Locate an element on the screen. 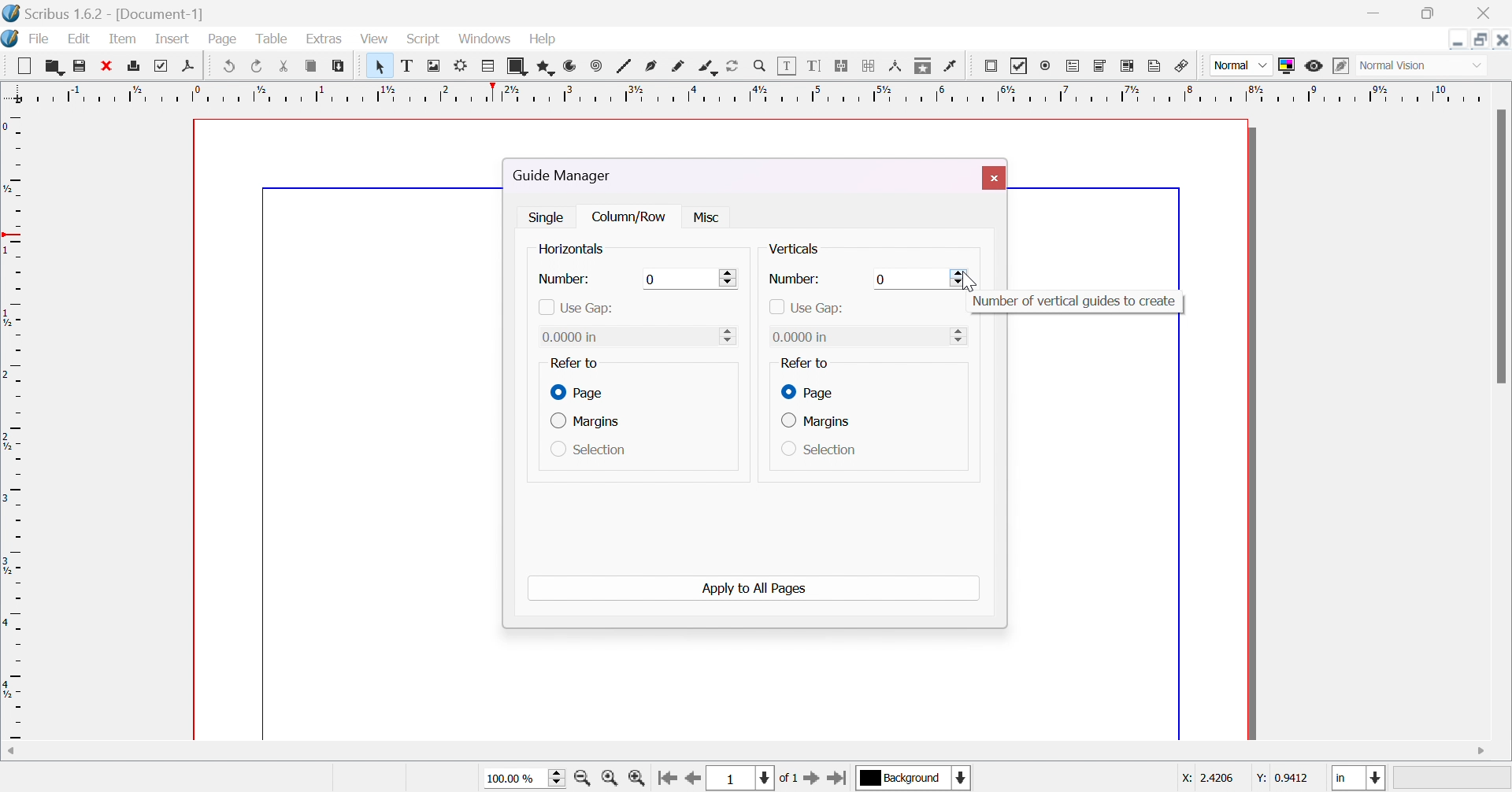 Image resolution: width=1512 pixels, height=792 pixels. page is located at coordinates (806, 391).